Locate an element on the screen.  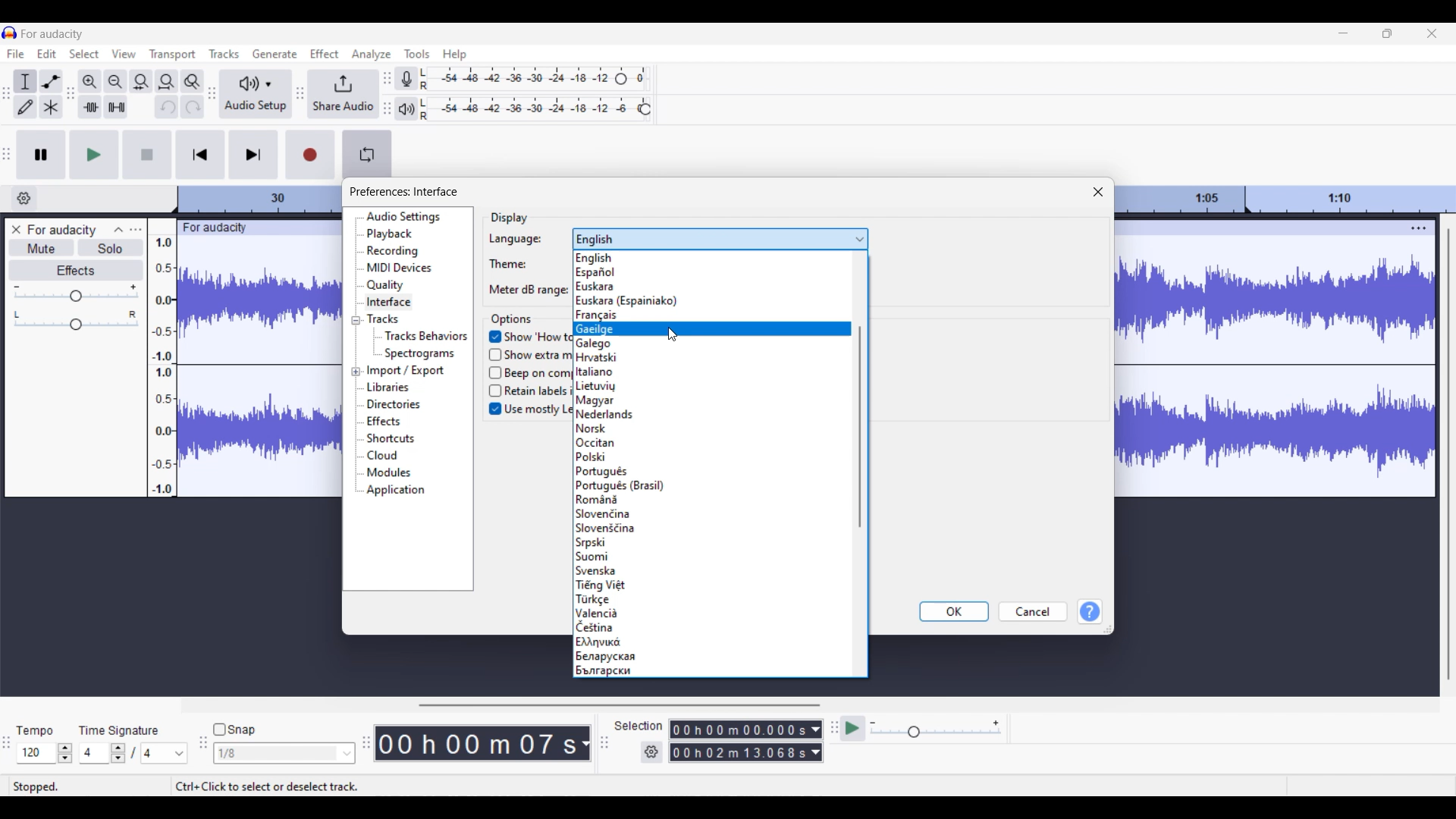
Shortcuts is located at coordinates (390, 438).